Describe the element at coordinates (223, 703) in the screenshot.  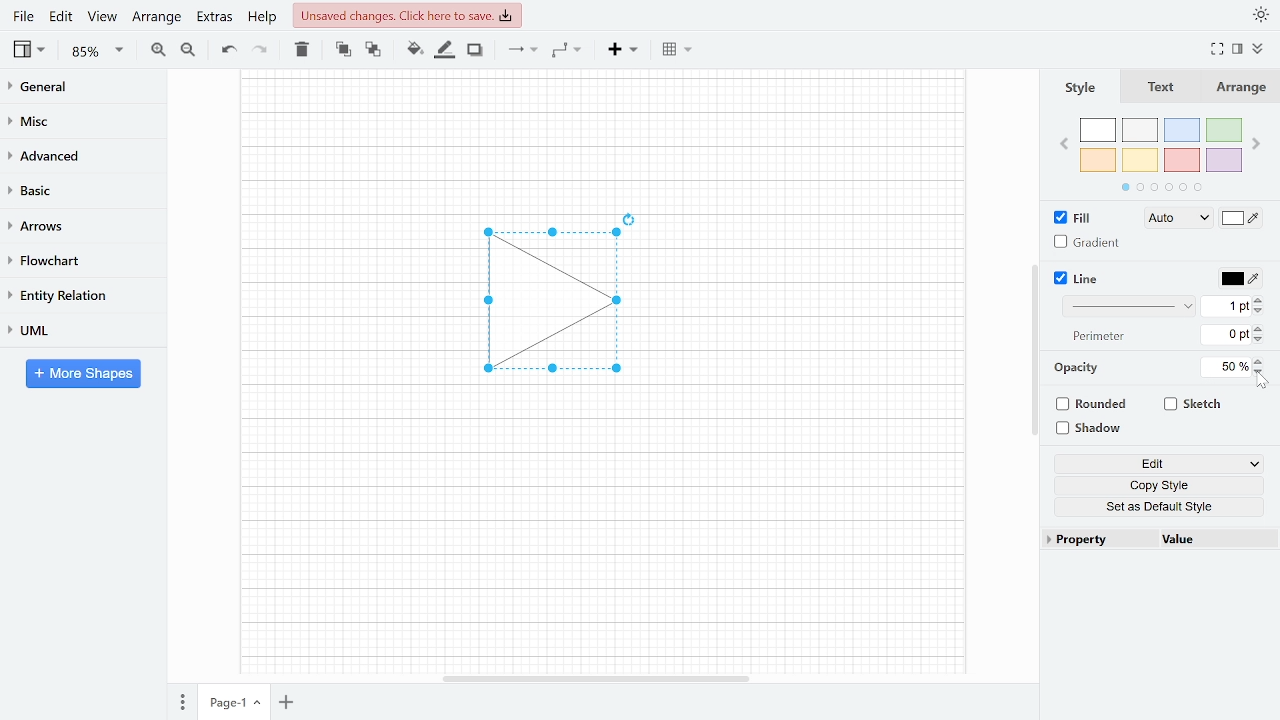
I see `Current page` at that location.